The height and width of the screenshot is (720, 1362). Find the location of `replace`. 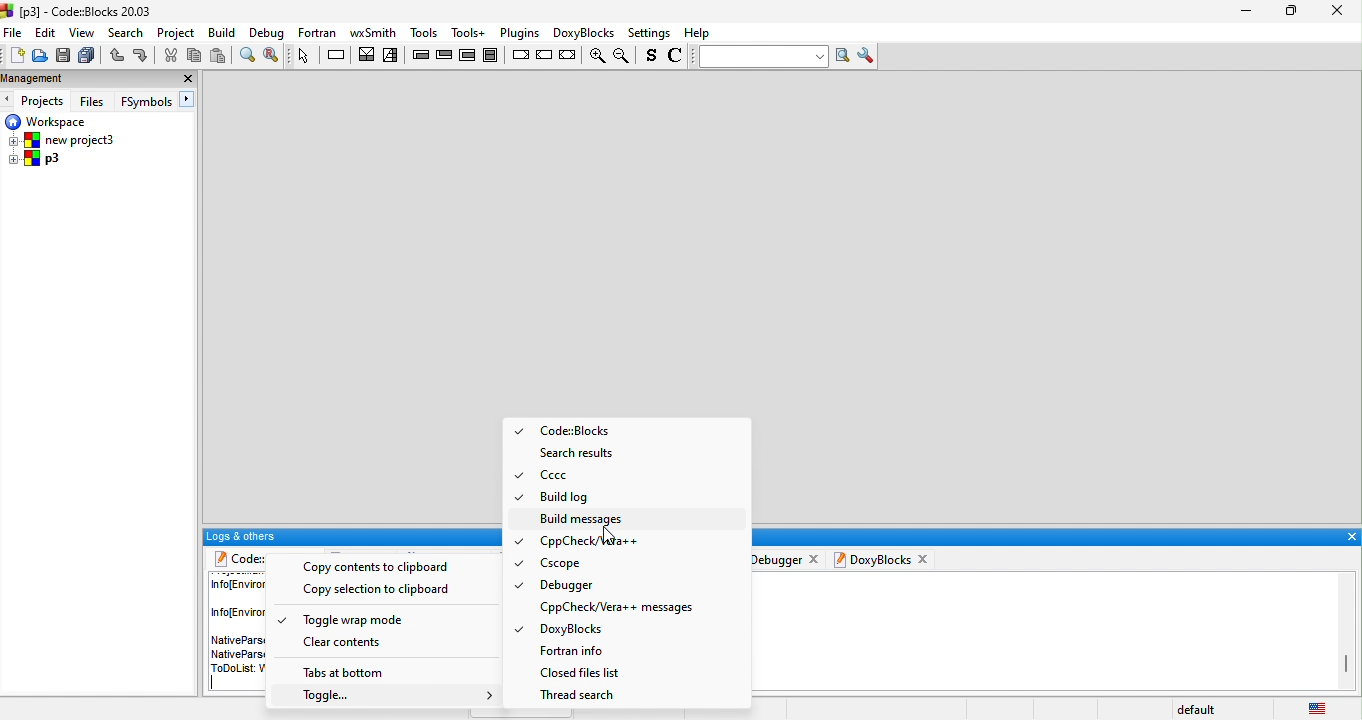

replace is located at coordinates (273, 56).